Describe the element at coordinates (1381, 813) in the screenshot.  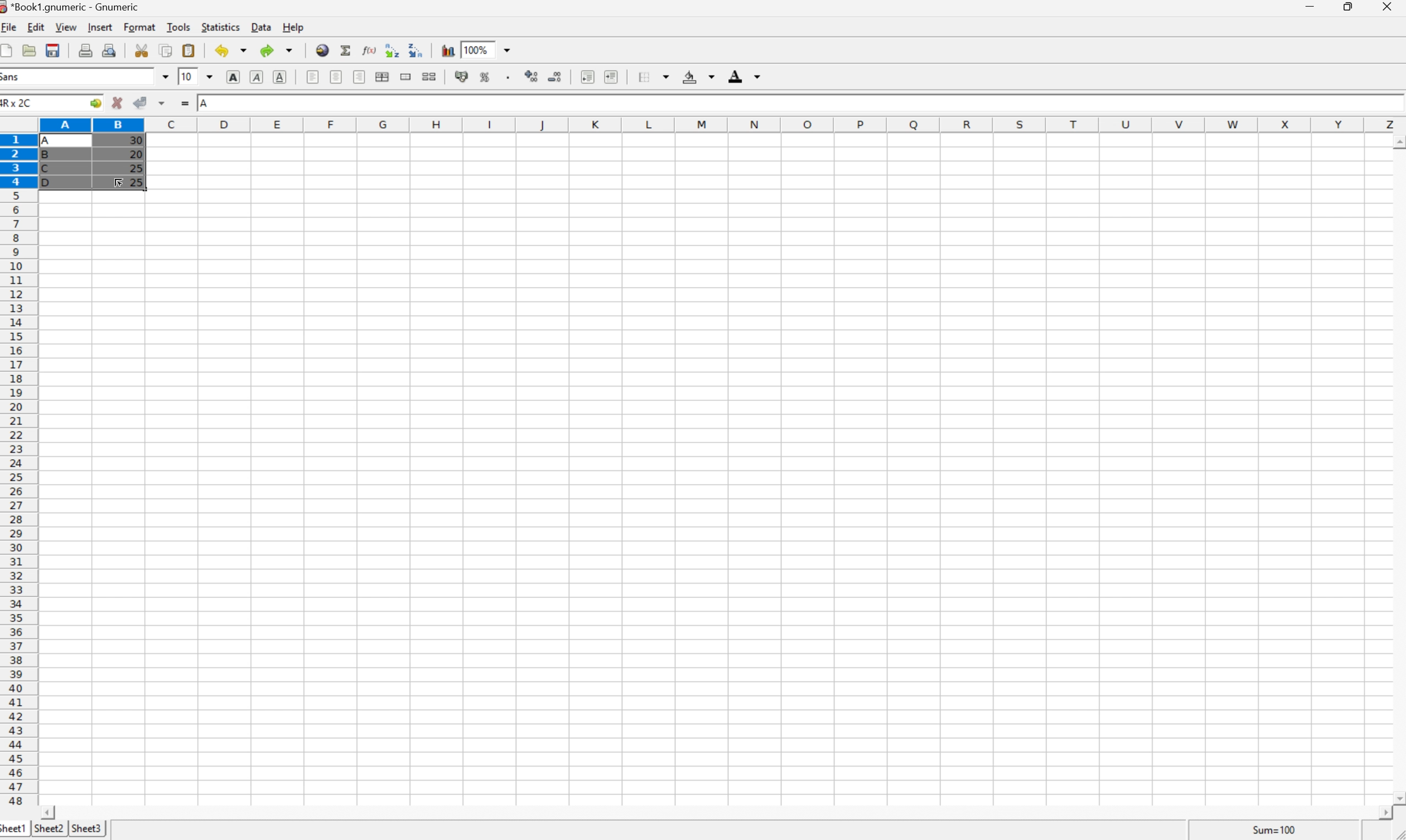
I see `Scroll Right` at that location.